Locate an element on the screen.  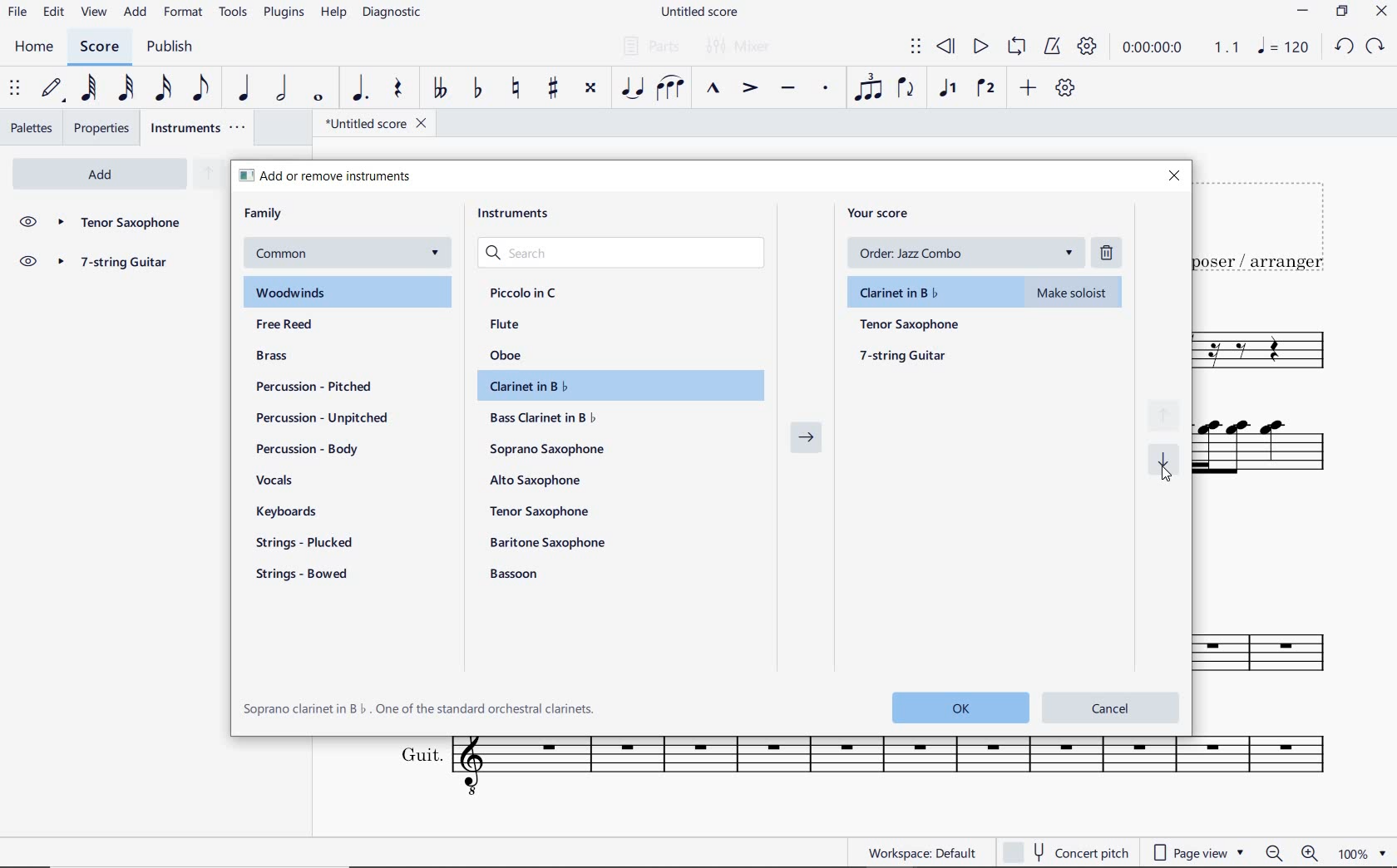
add selected instrument to score is located at coordinates (807, 442).